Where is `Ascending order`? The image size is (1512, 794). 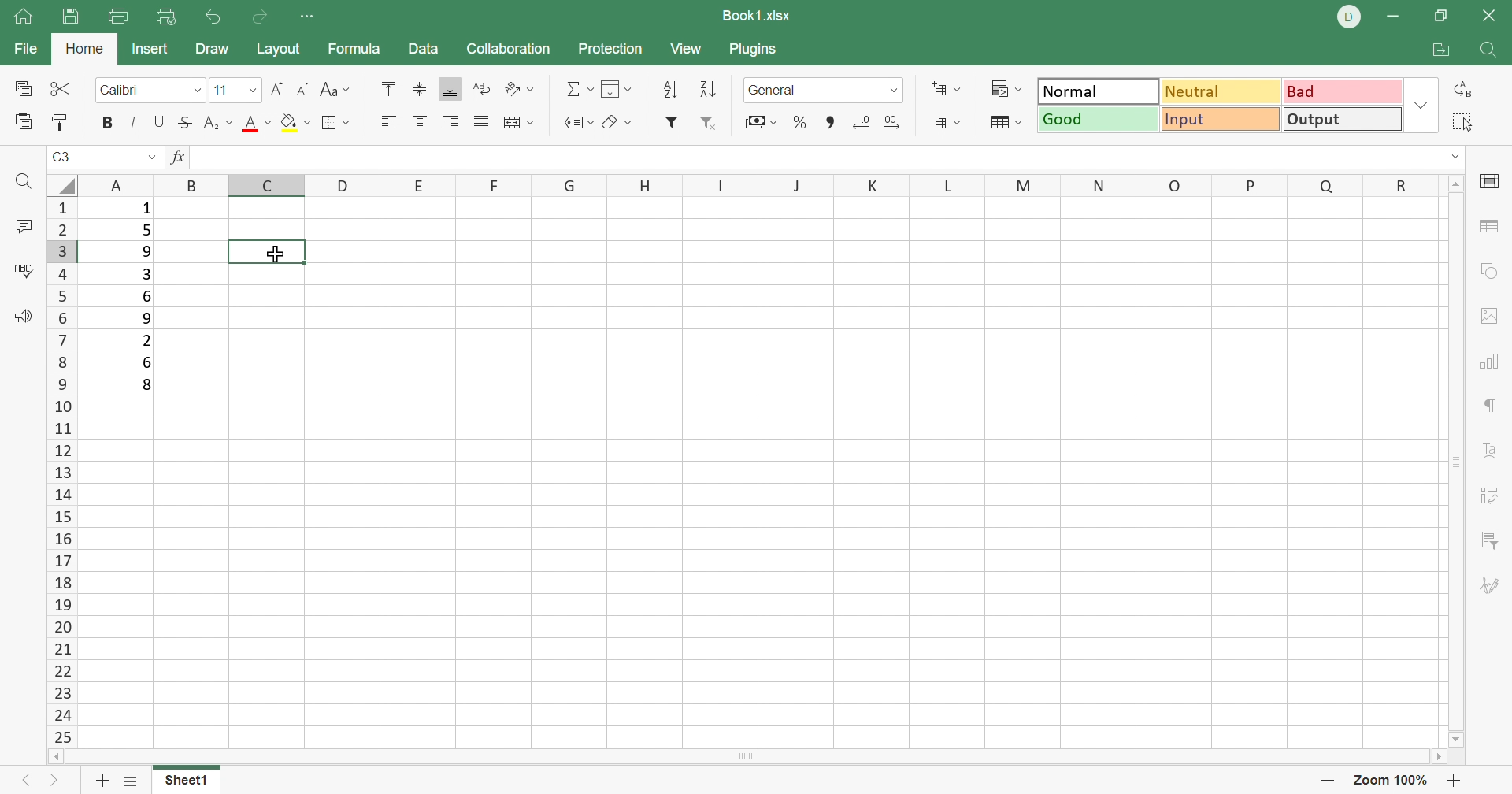 Ascending order is located at coordinates (670, 90).